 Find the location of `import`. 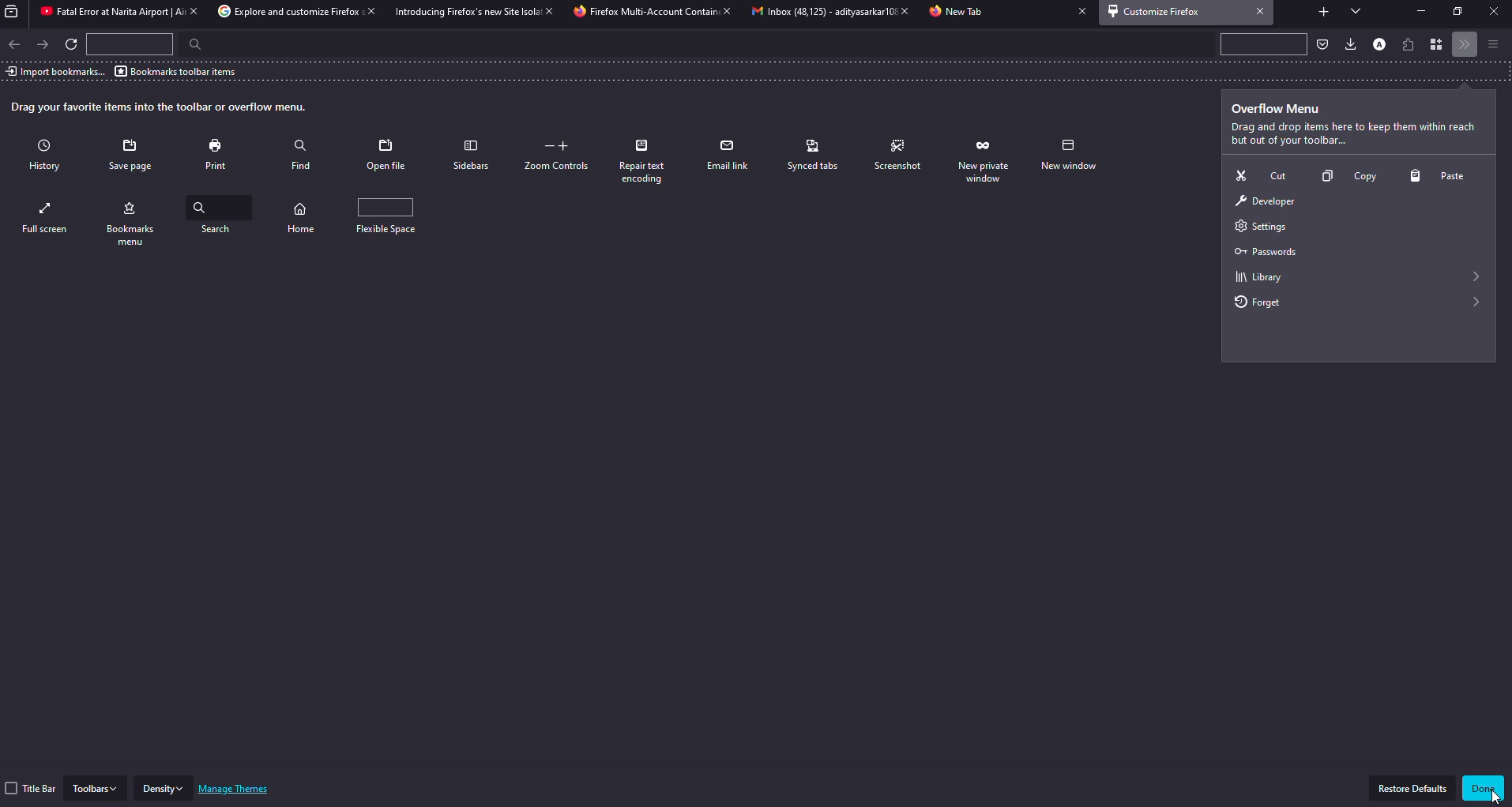

import is located at coordinates (55, 71).